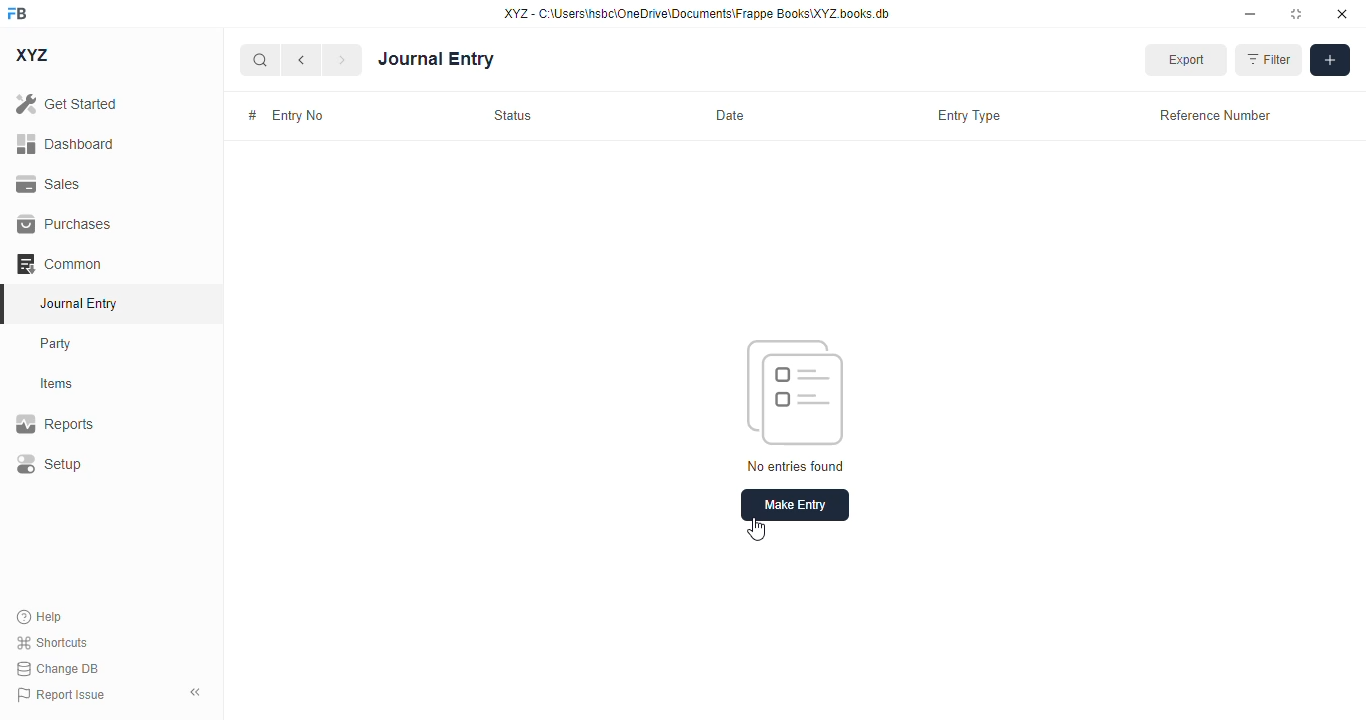  I want to click on setup, so click(48, 463).